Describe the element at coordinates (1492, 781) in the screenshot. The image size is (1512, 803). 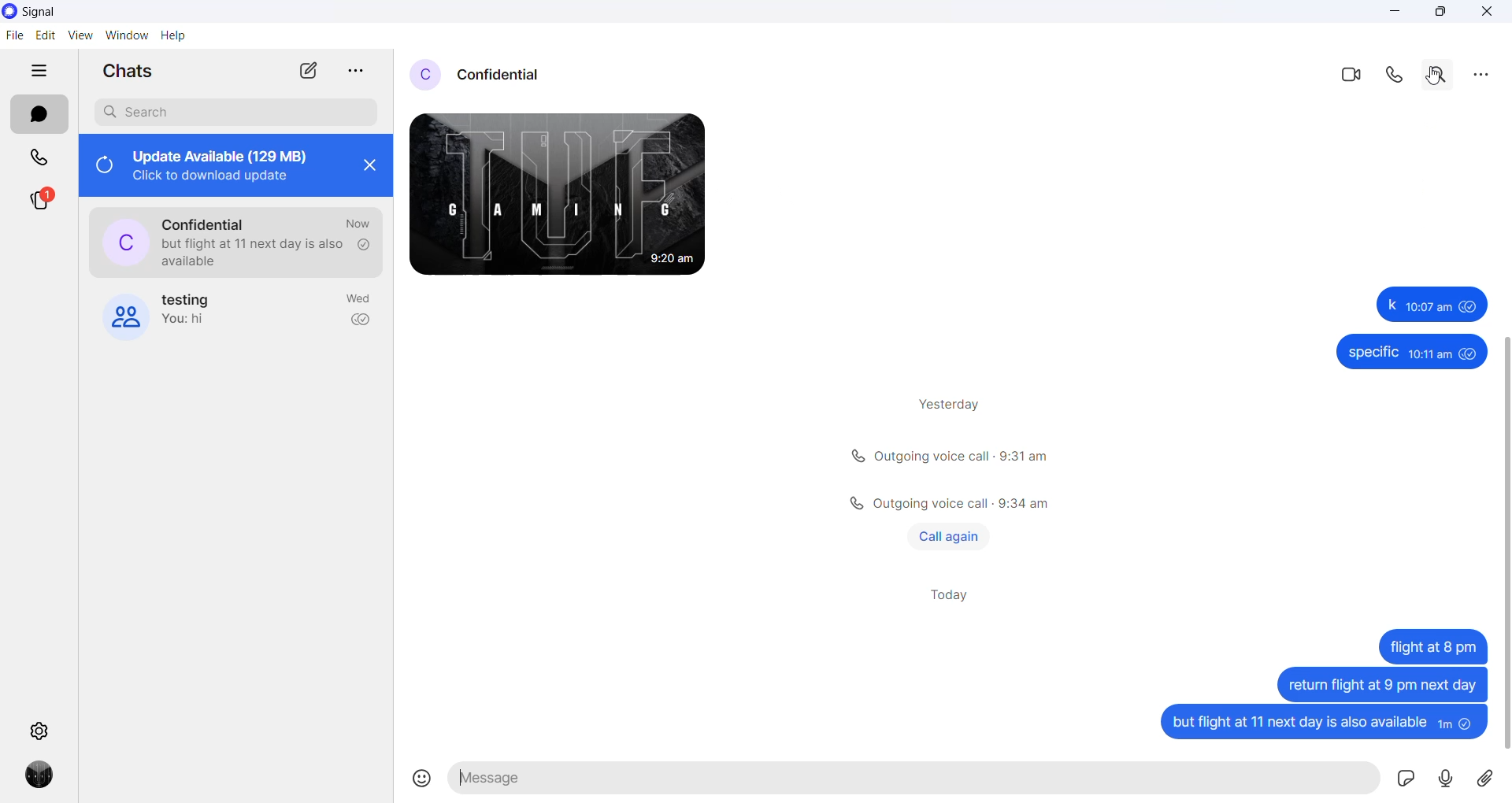
I see `share attachment` at that location.